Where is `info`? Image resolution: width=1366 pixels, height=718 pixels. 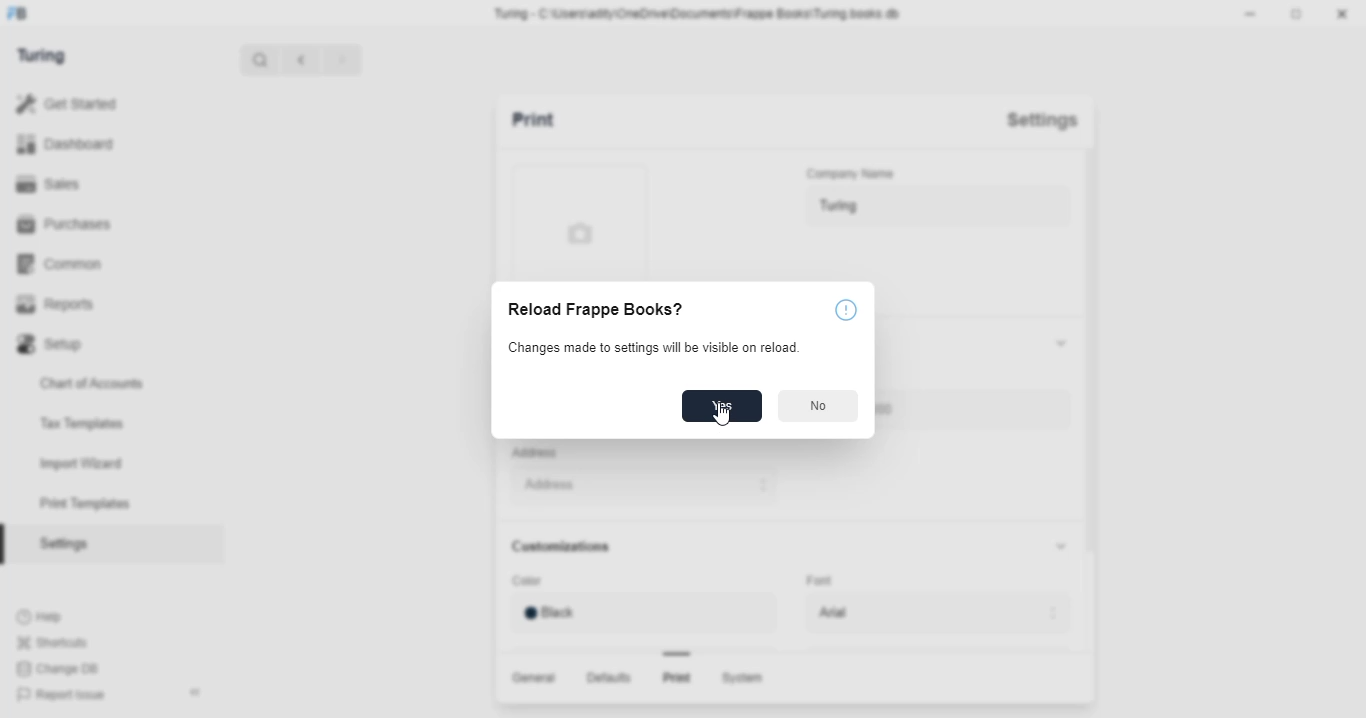 info is located at coordinates (846, 310).